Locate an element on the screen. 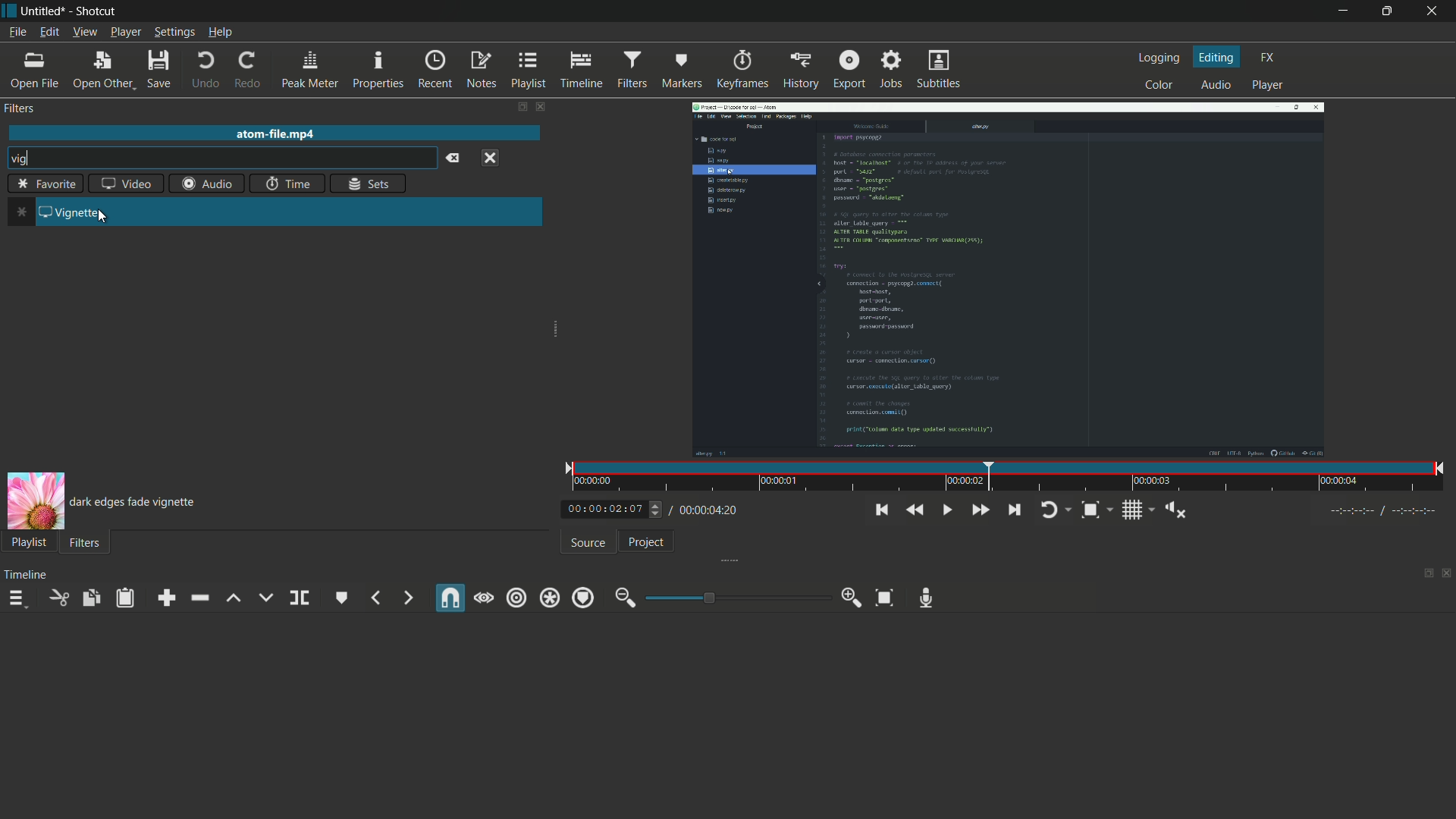 The width and height of the screenshot is (1456, 819). cursor is located at coordinates (104, 218).